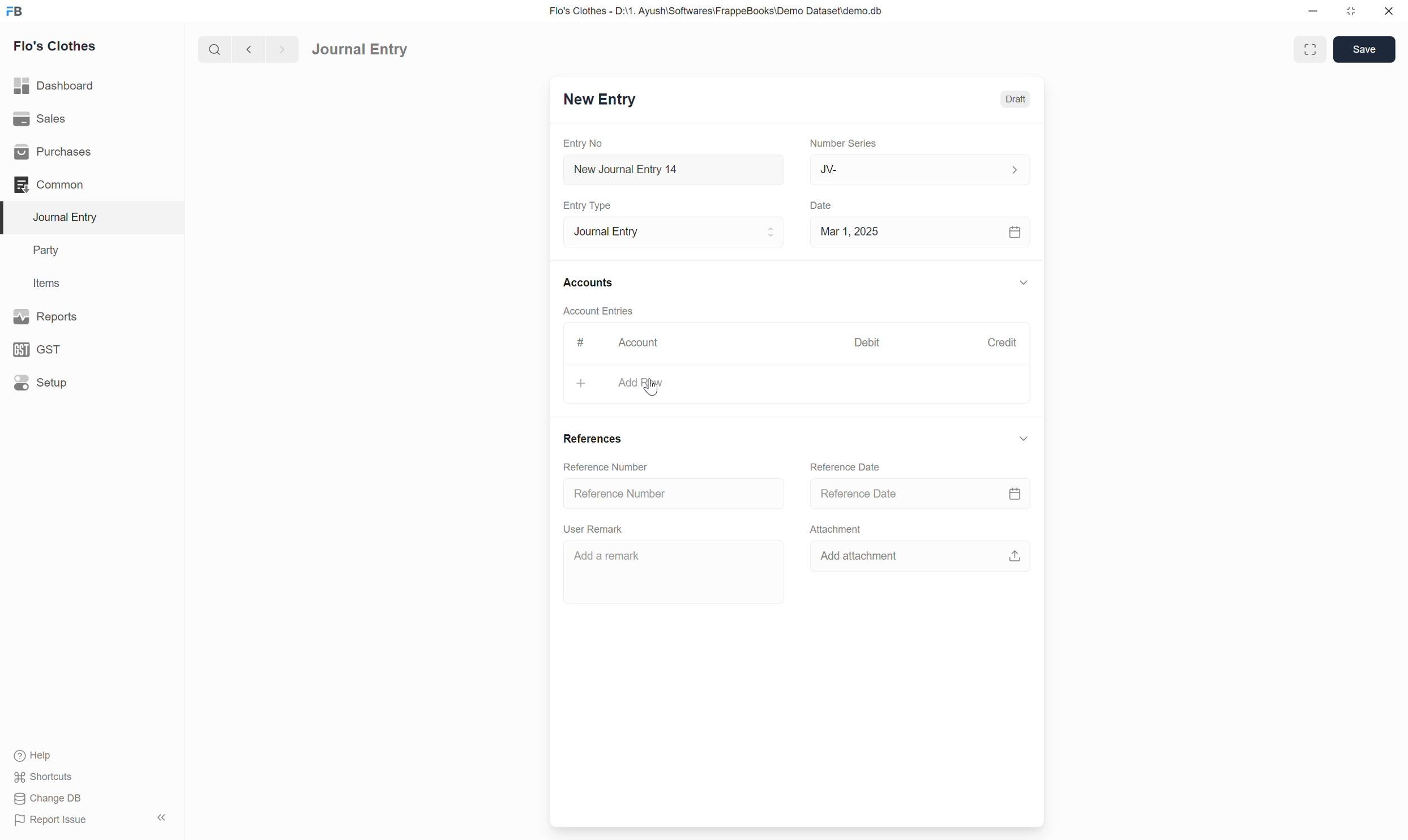 Image resolution: width=1408 pixels, height=840 pixels. Describe the element at coordinates (15, 11) in the screenshot. I see `FB` at that location.